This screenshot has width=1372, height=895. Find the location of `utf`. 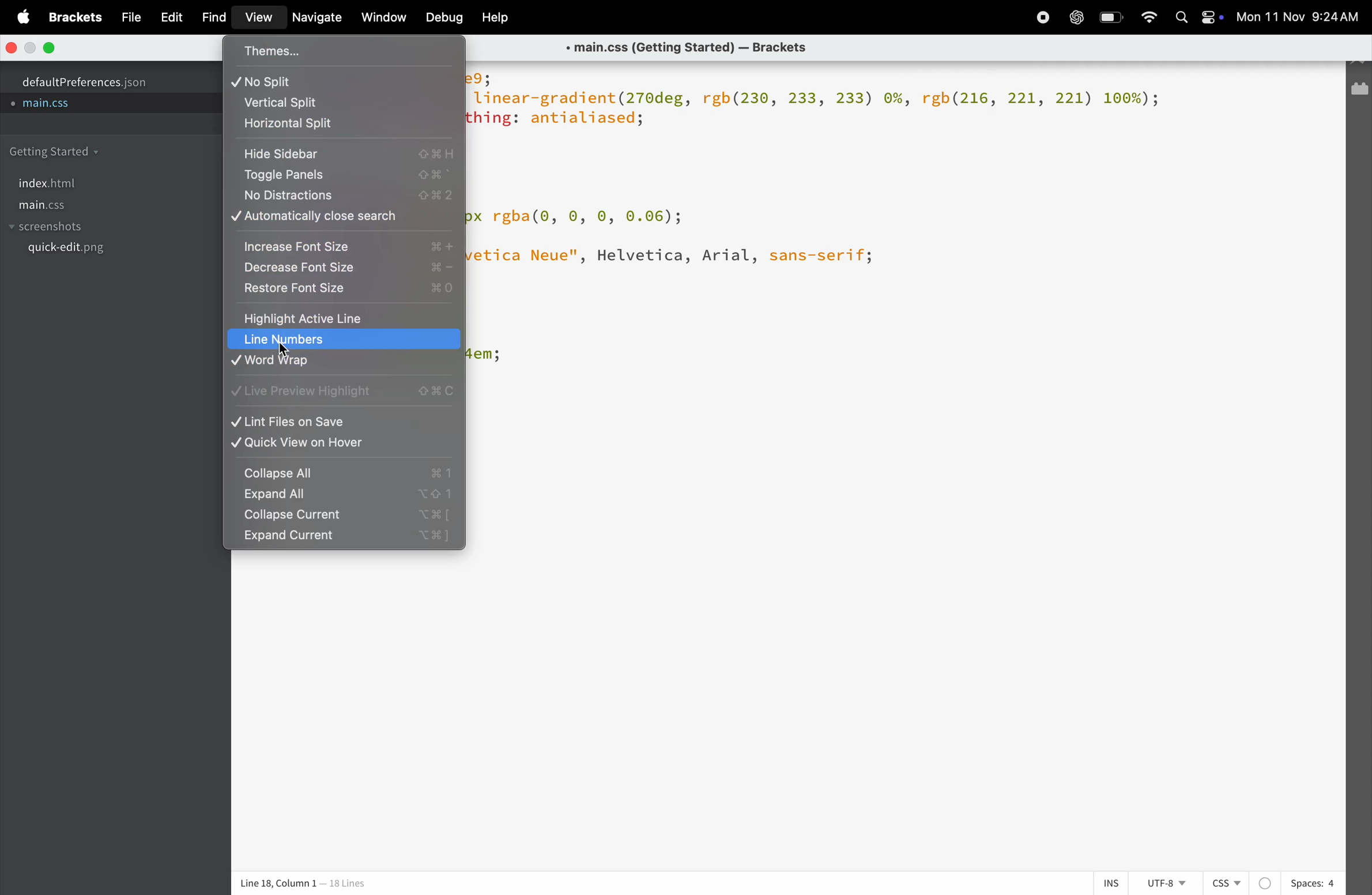

utf is located at coordinates (1166, 883).